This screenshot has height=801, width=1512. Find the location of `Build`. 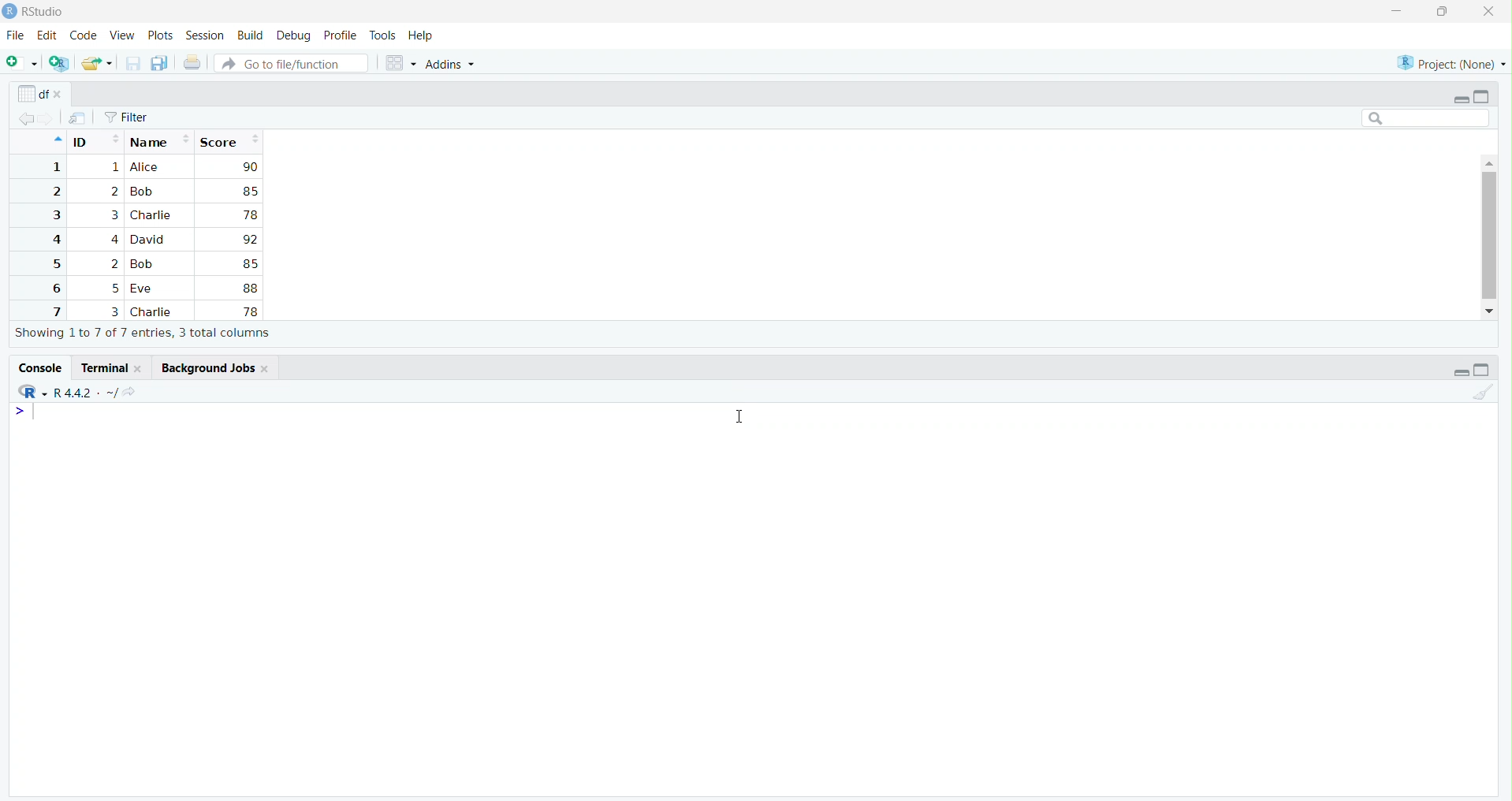

Build is located at coordinates (251, 35).